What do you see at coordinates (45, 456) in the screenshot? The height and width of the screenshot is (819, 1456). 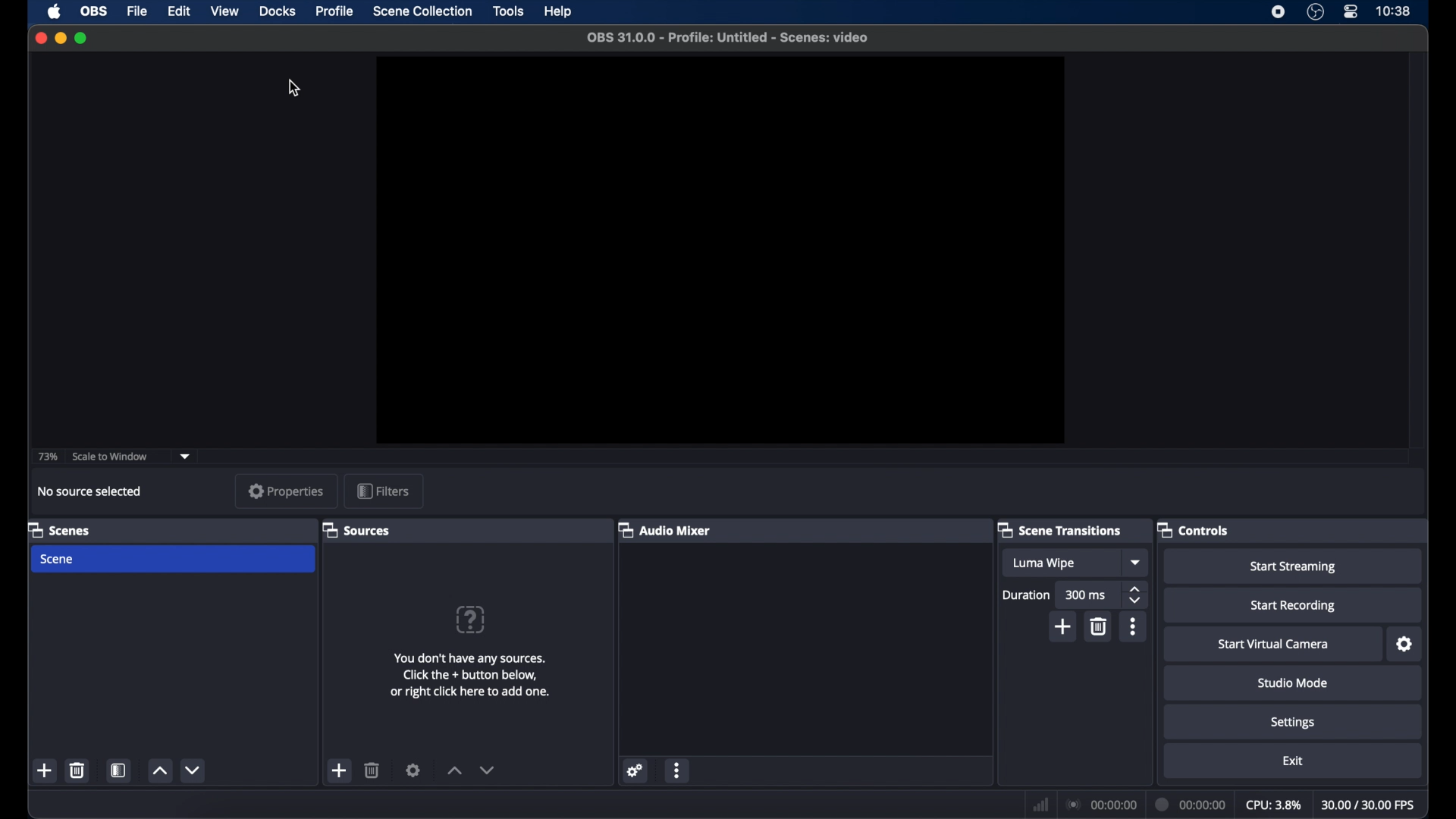 I see `73%` at bounding box center [45, 456].